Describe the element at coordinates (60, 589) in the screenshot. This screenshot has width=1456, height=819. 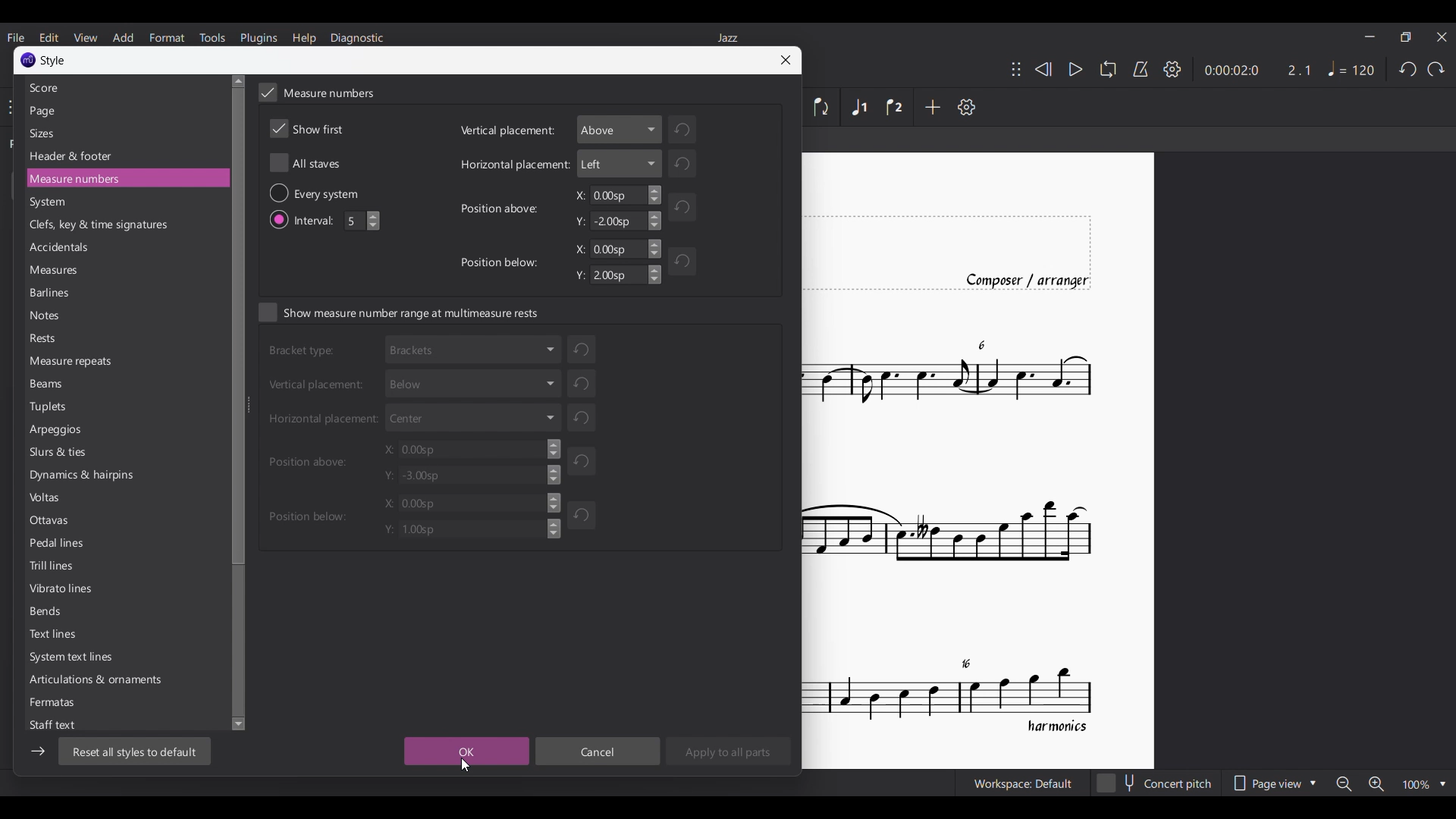
I see `Vibrato` at that location.